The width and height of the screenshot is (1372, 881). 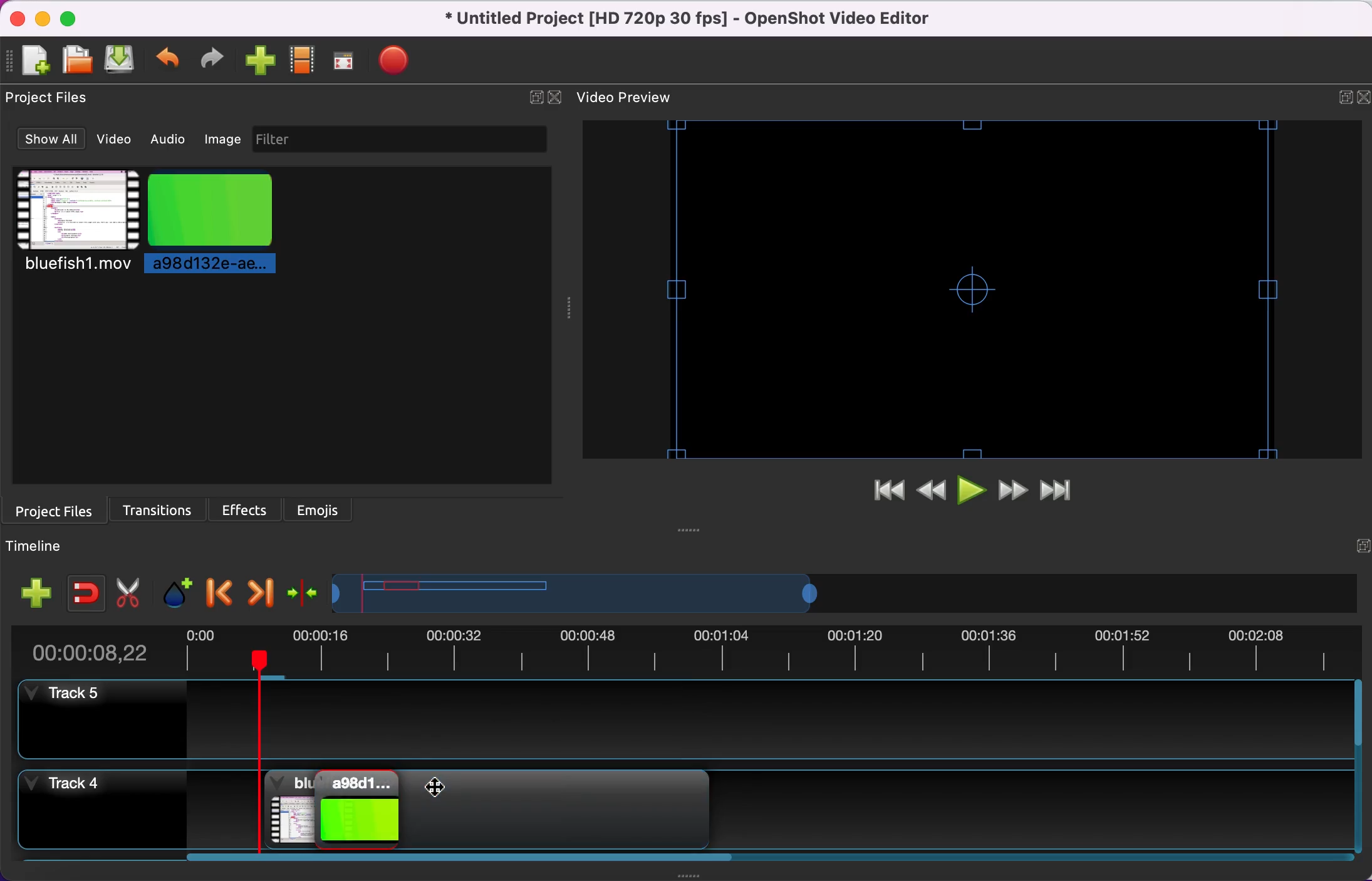 I want to click on show all, so click(x=49, y=139).